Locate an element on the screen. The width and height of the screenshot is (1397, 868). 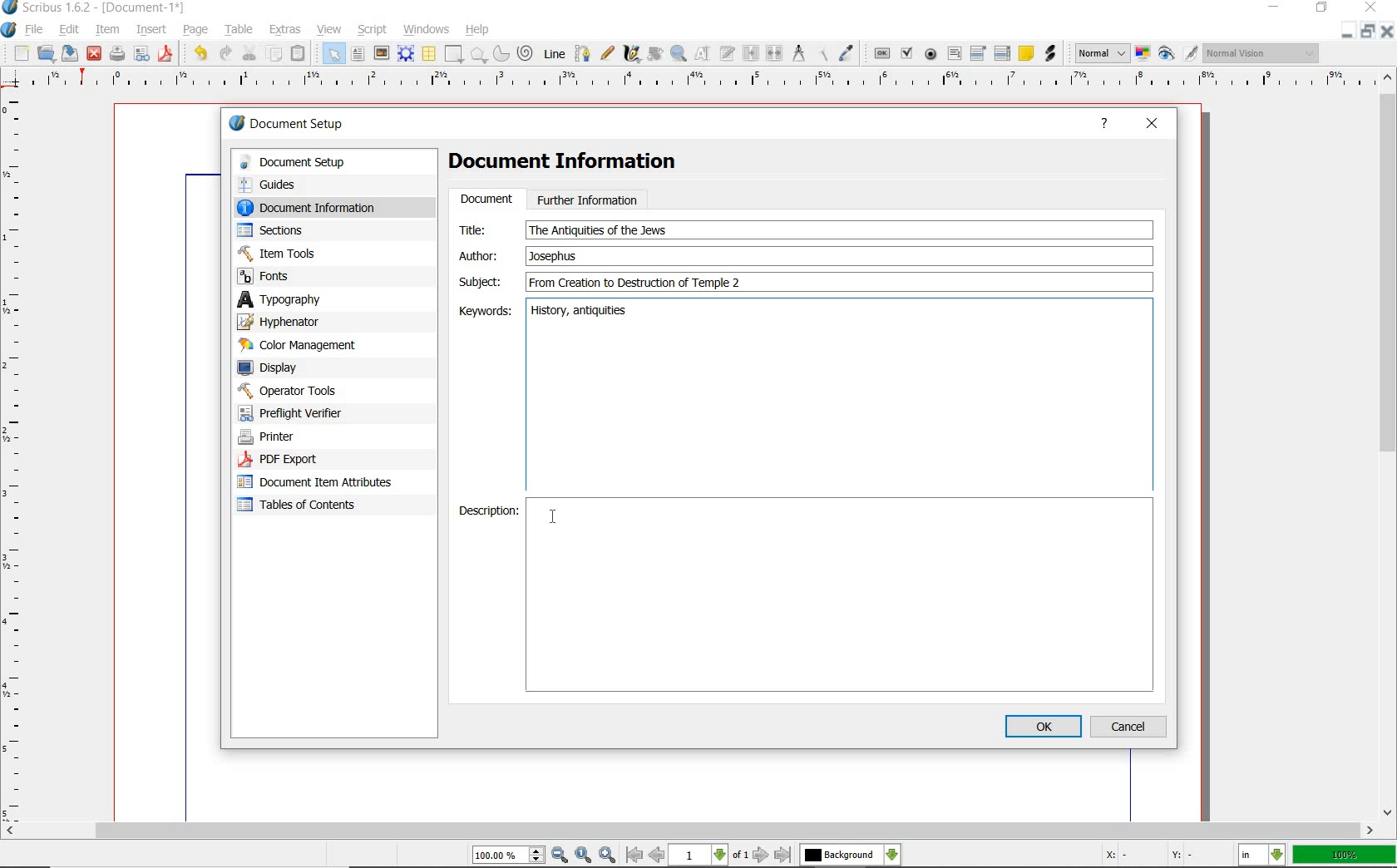
pdf radio button is located at coordinates (931, 54).